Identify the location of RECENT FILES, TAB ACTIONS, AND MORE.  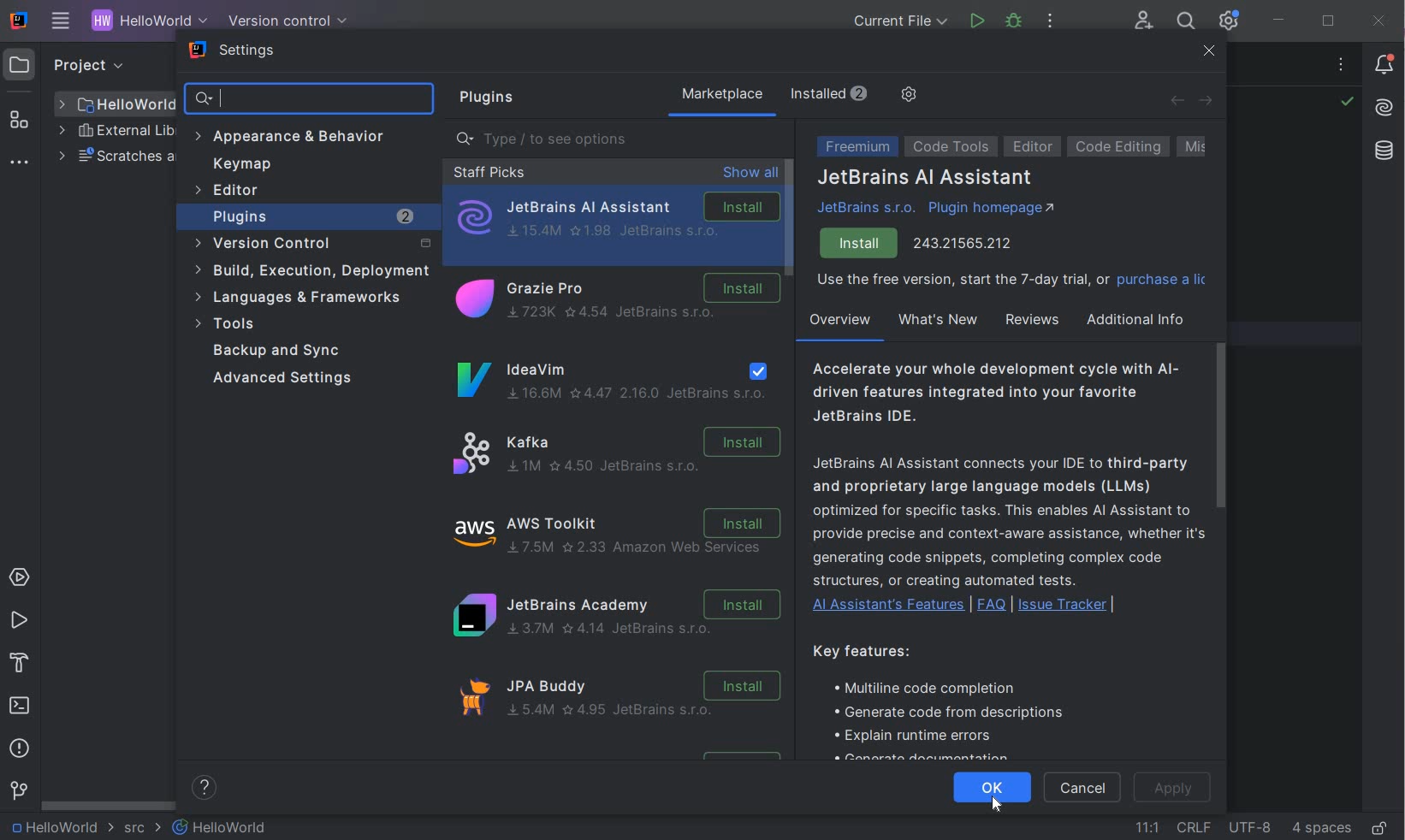
(1343, 67).